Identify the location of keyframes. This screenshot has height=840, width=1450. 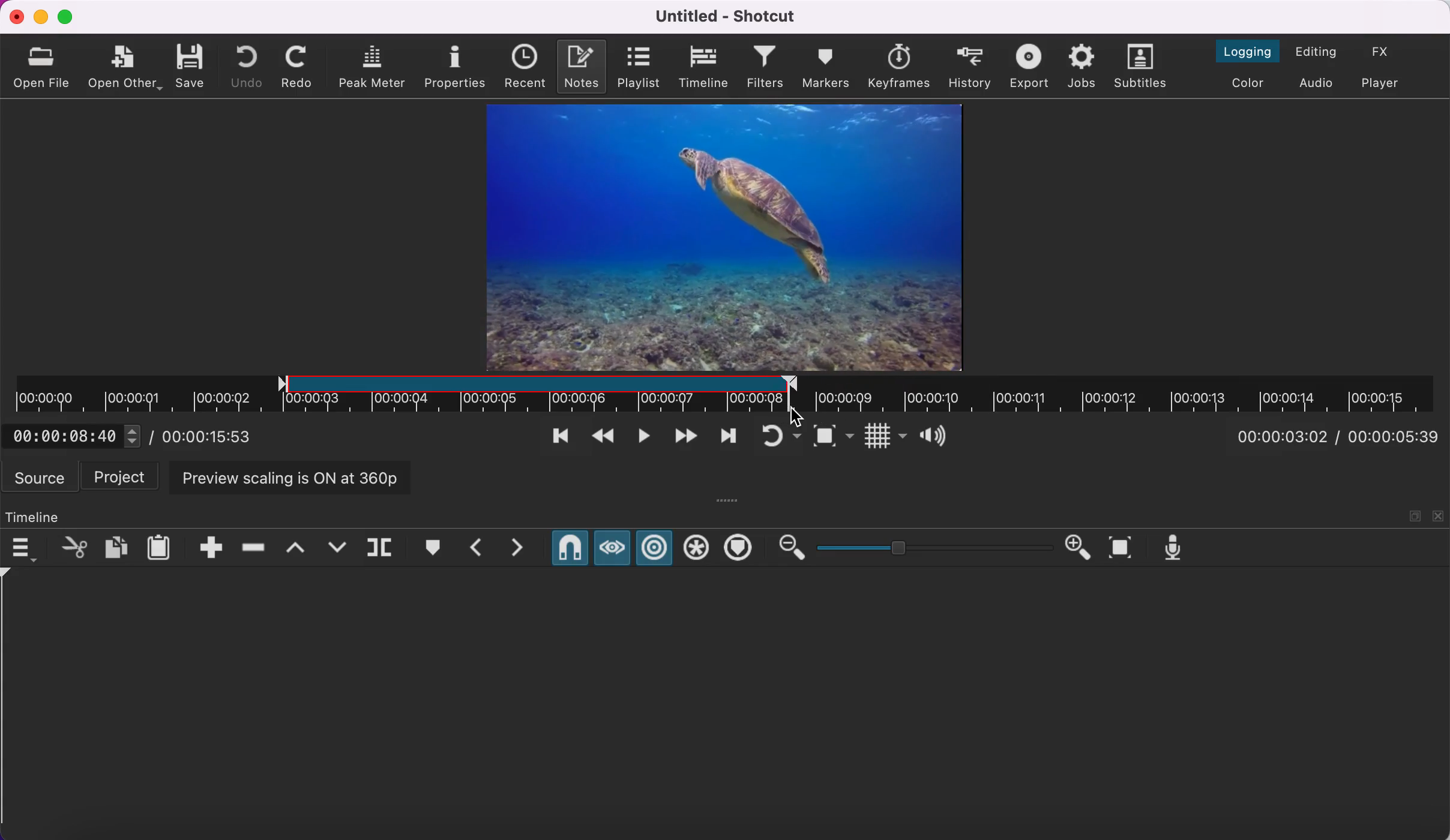
(901, 65).